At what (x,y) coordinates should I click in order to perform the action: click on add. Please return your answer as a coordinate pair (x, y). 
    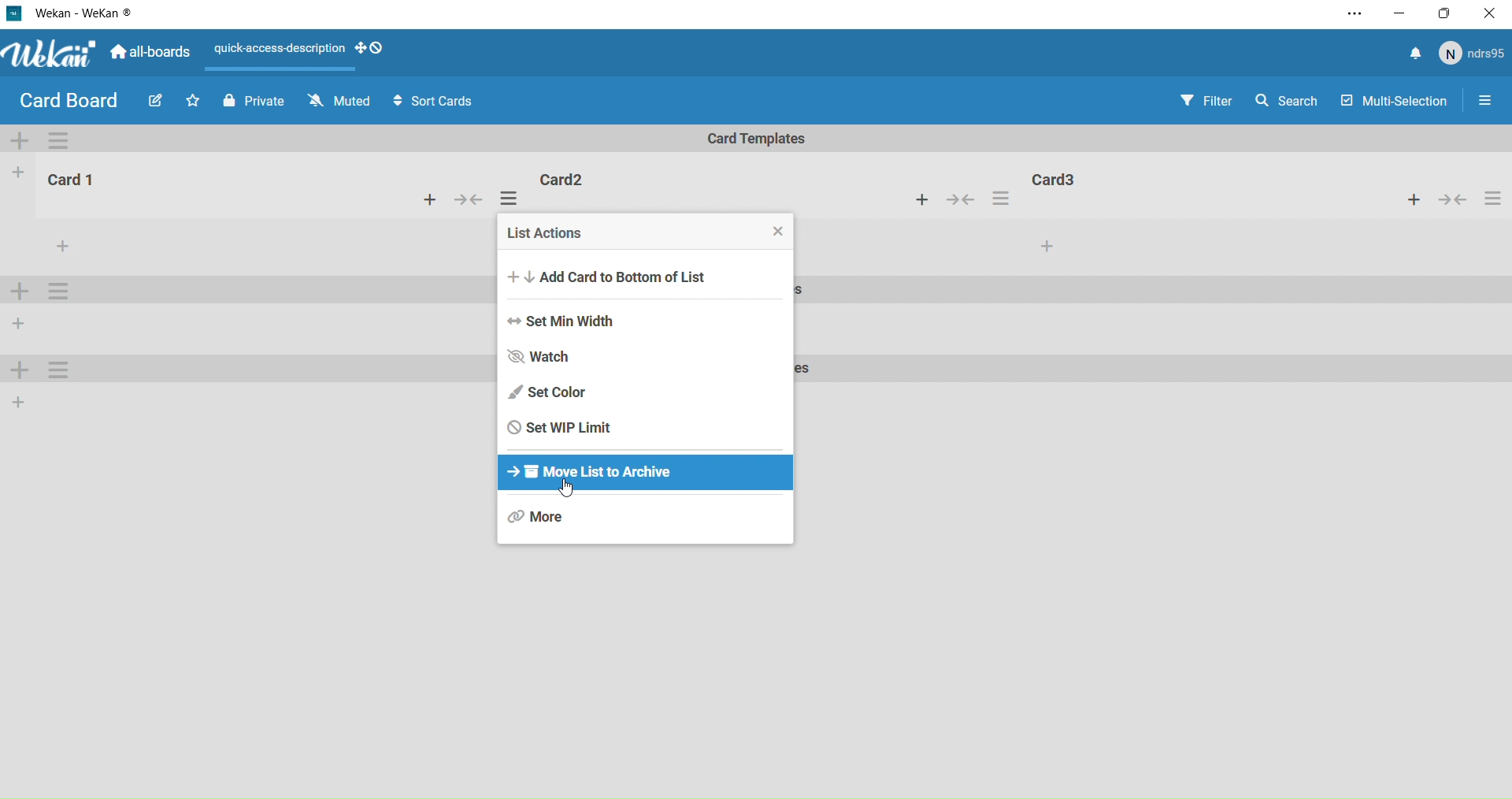
    Looking at the image, I should click on (922, 200).